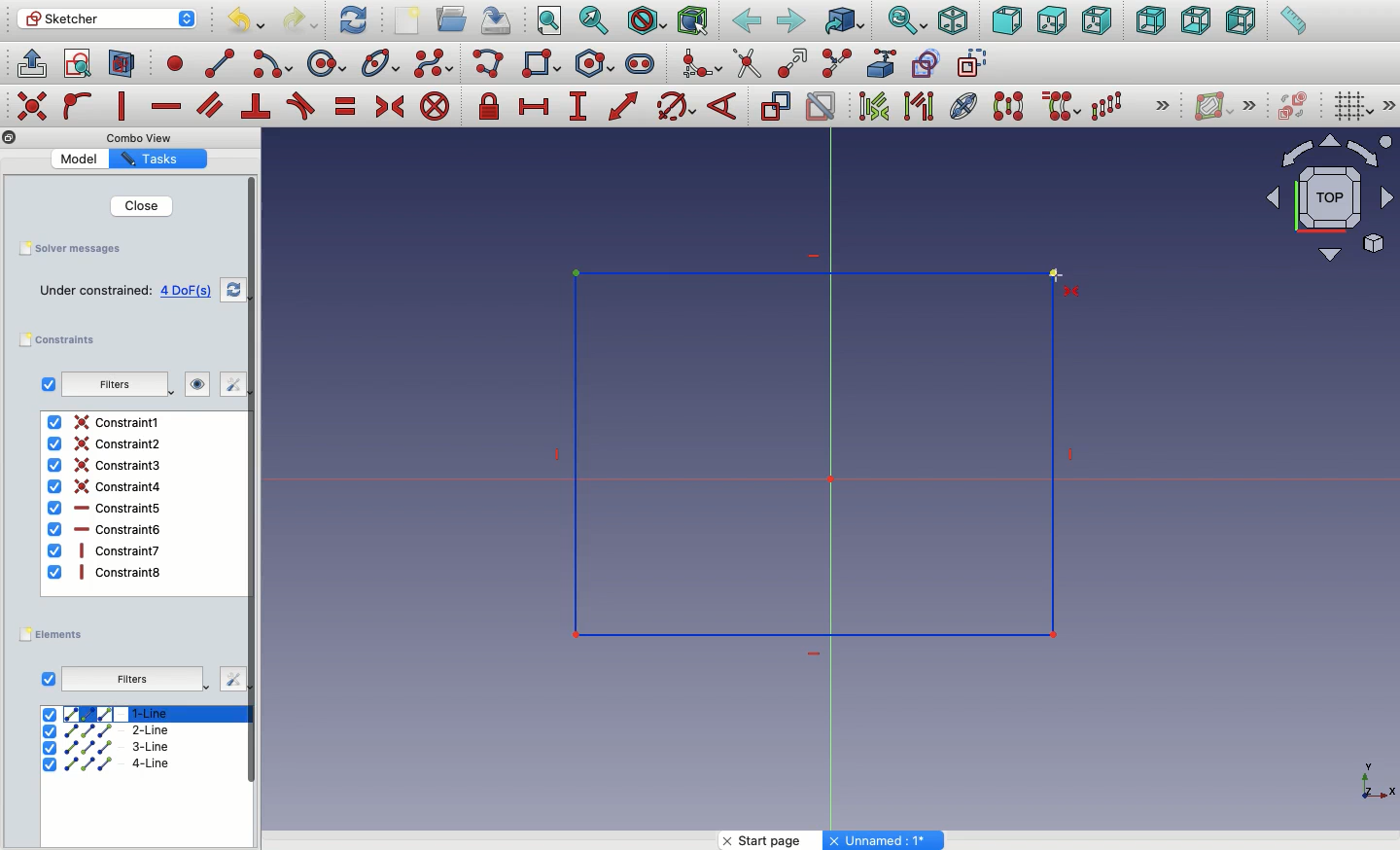 This screenshot has width=1400, height=850. I want to click on Slot, so click(642, 63).